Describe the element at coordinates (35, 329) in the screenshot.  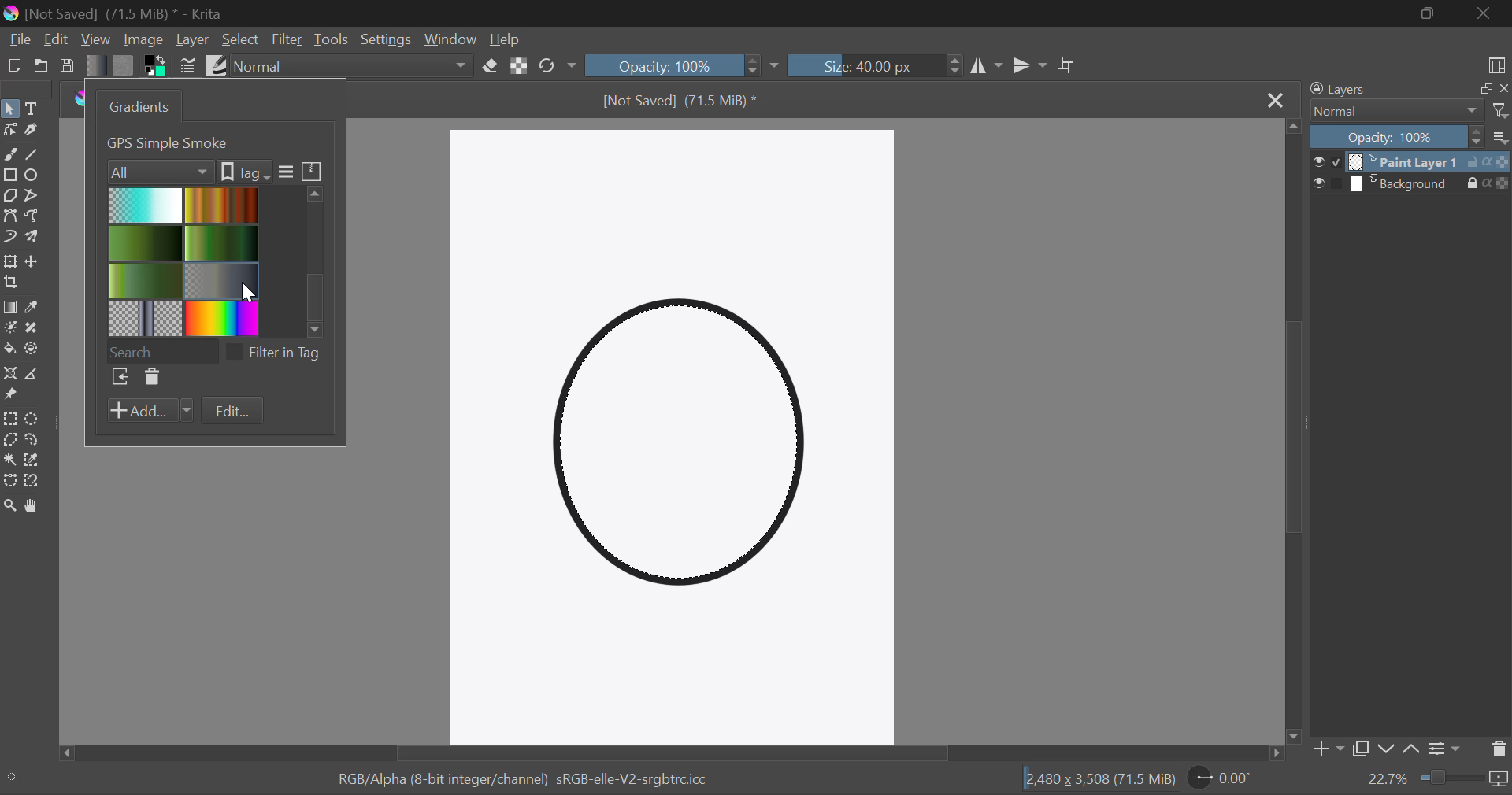
I see `Smart Patch Tool` at that location.